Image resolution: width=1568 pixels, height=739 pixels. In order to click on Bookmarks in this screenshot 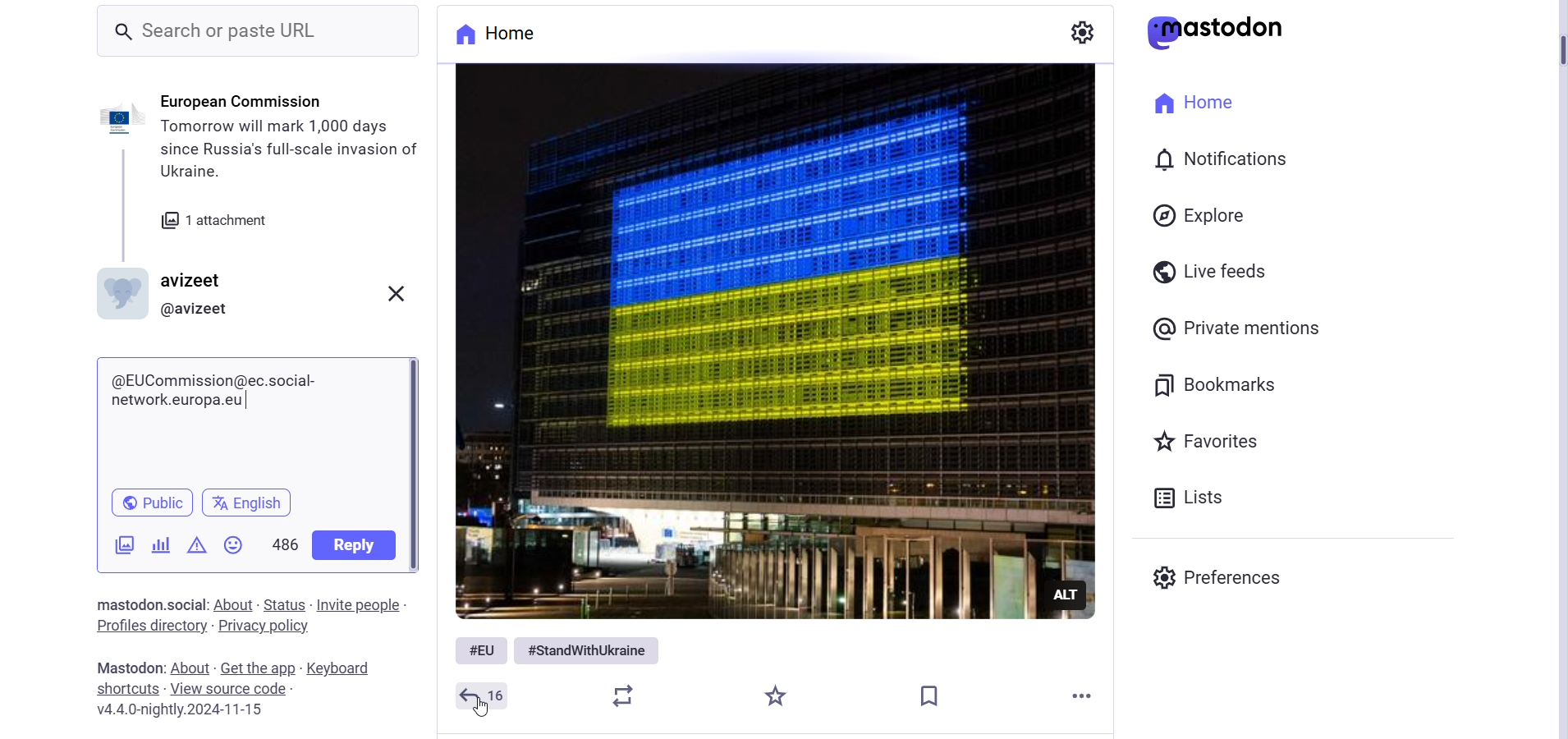, I will do `click(1219, 384)`.